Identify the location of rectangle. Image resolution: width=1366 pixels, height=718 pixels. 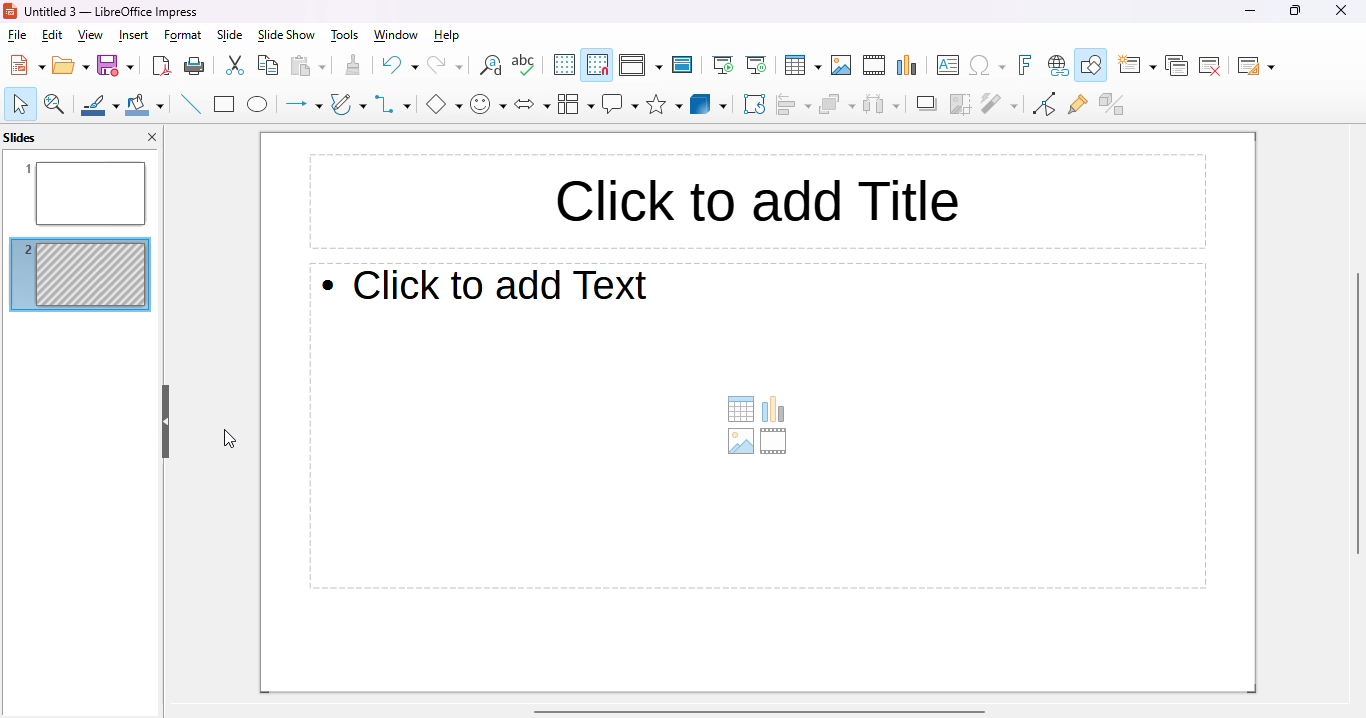
(224, 105).